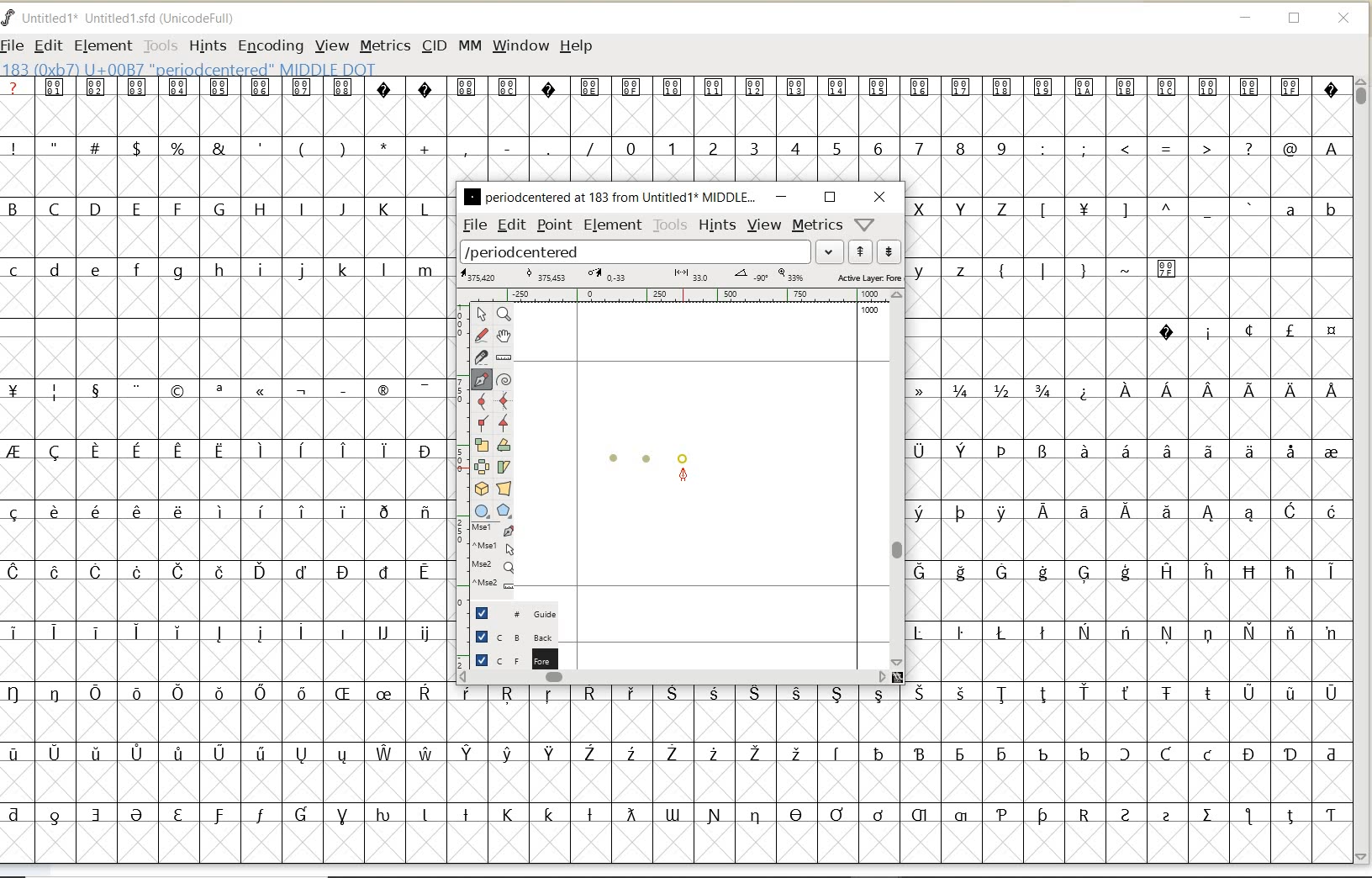  I want to click on , so click(1143, 211).